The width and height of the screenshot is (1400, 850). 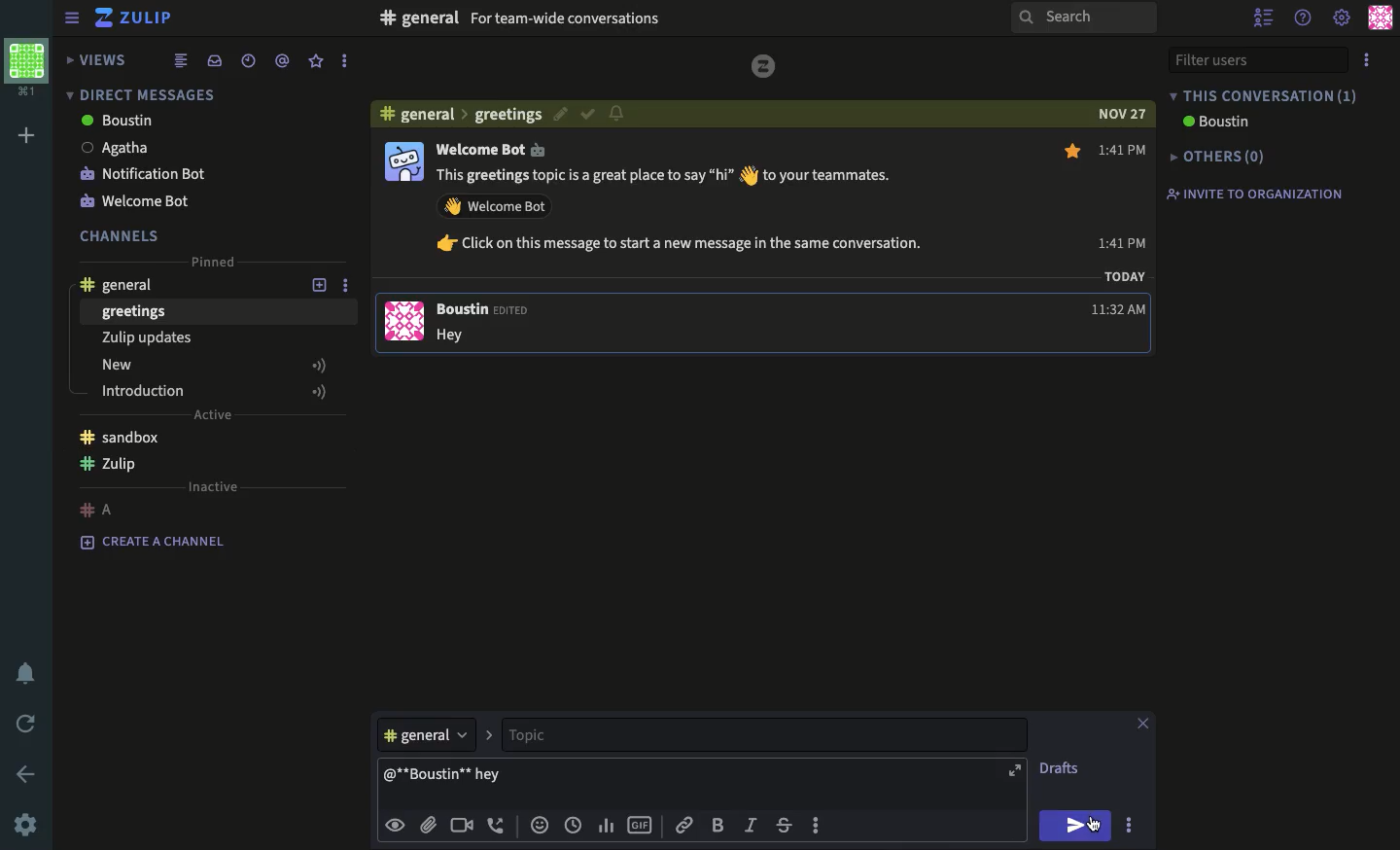 What do you see at coordinates (1013, 766) in the screenshot?
I see `expand` at bounding box center [1013, 766].